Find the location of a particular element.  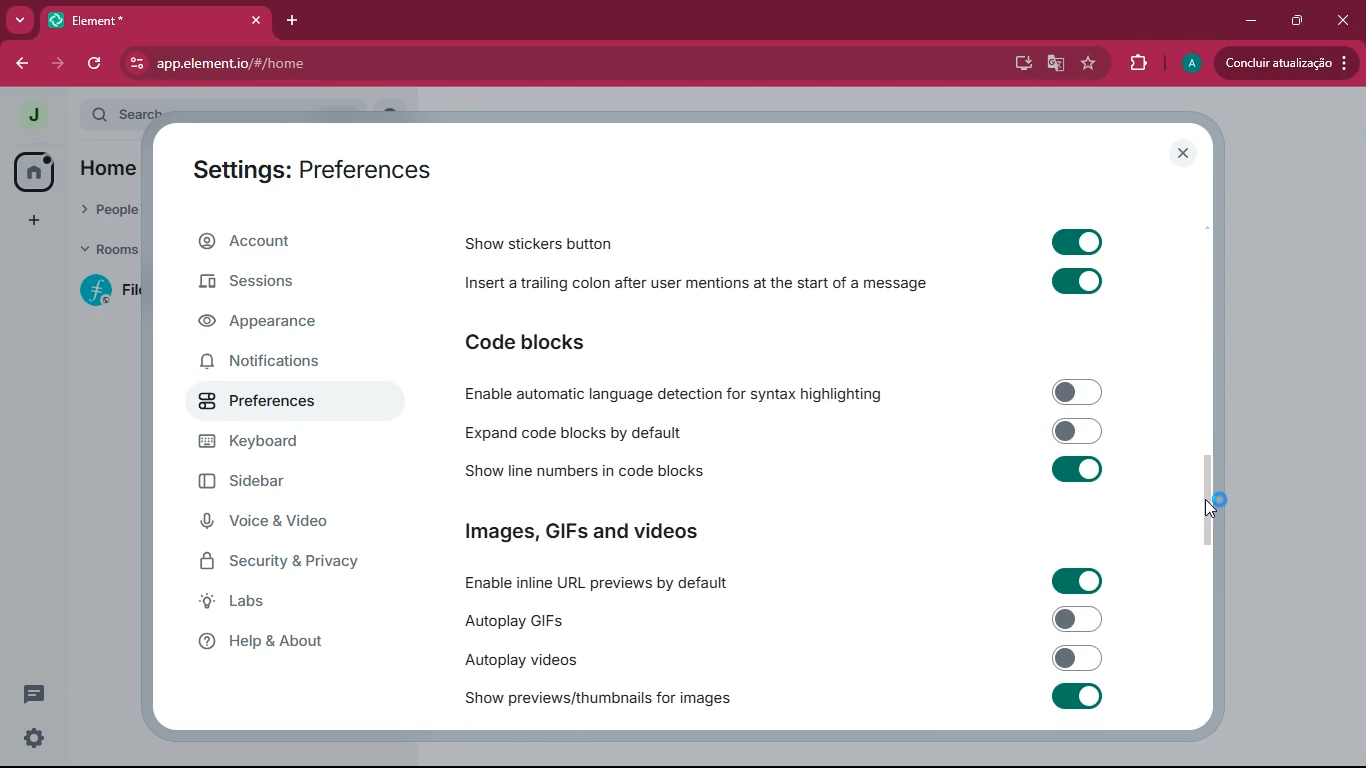

Show stickers button is located at coordinates (533, 245).